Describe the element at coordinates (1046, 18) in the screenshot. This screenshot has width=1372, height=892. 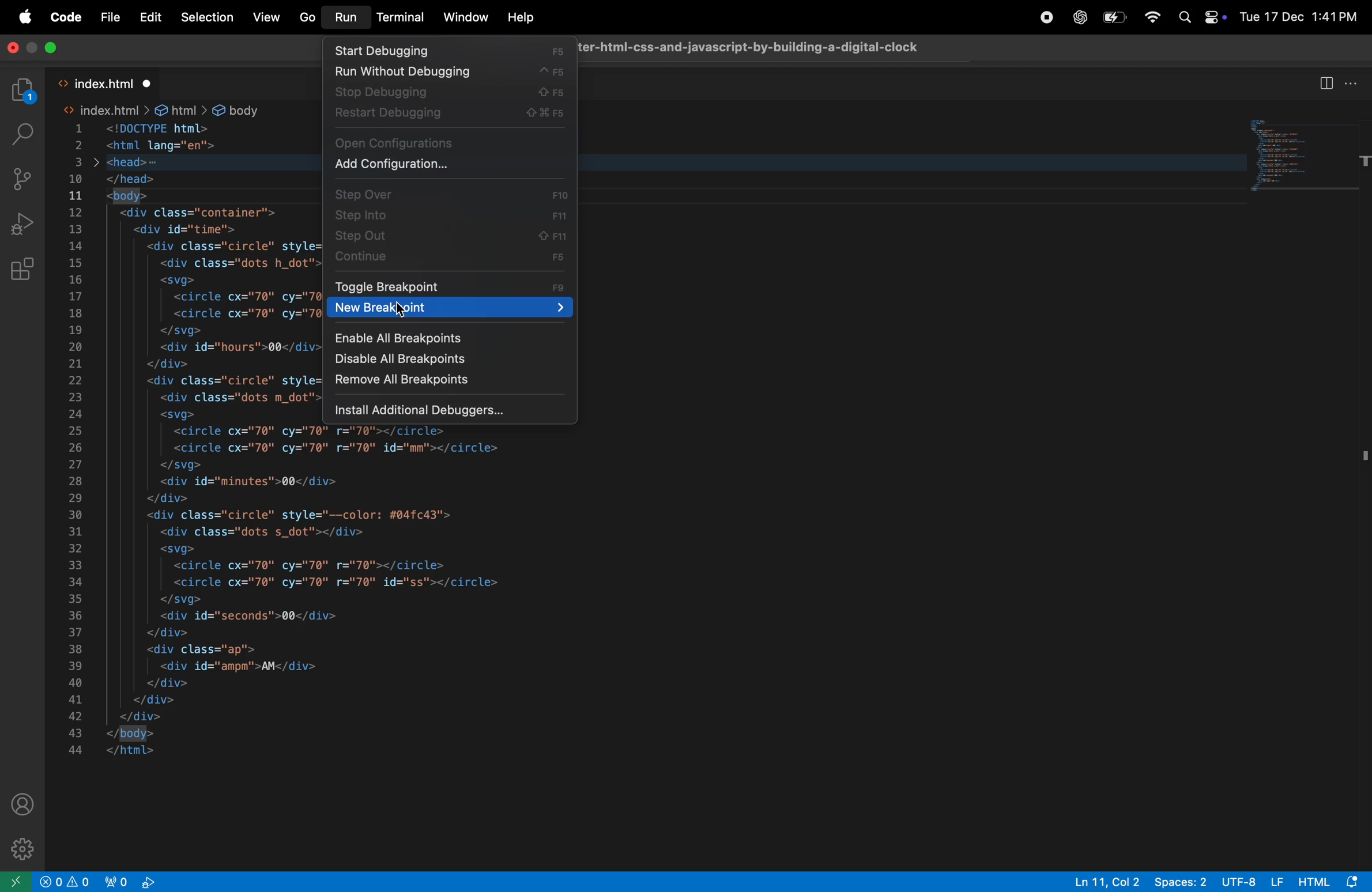
I see `record` at that location.